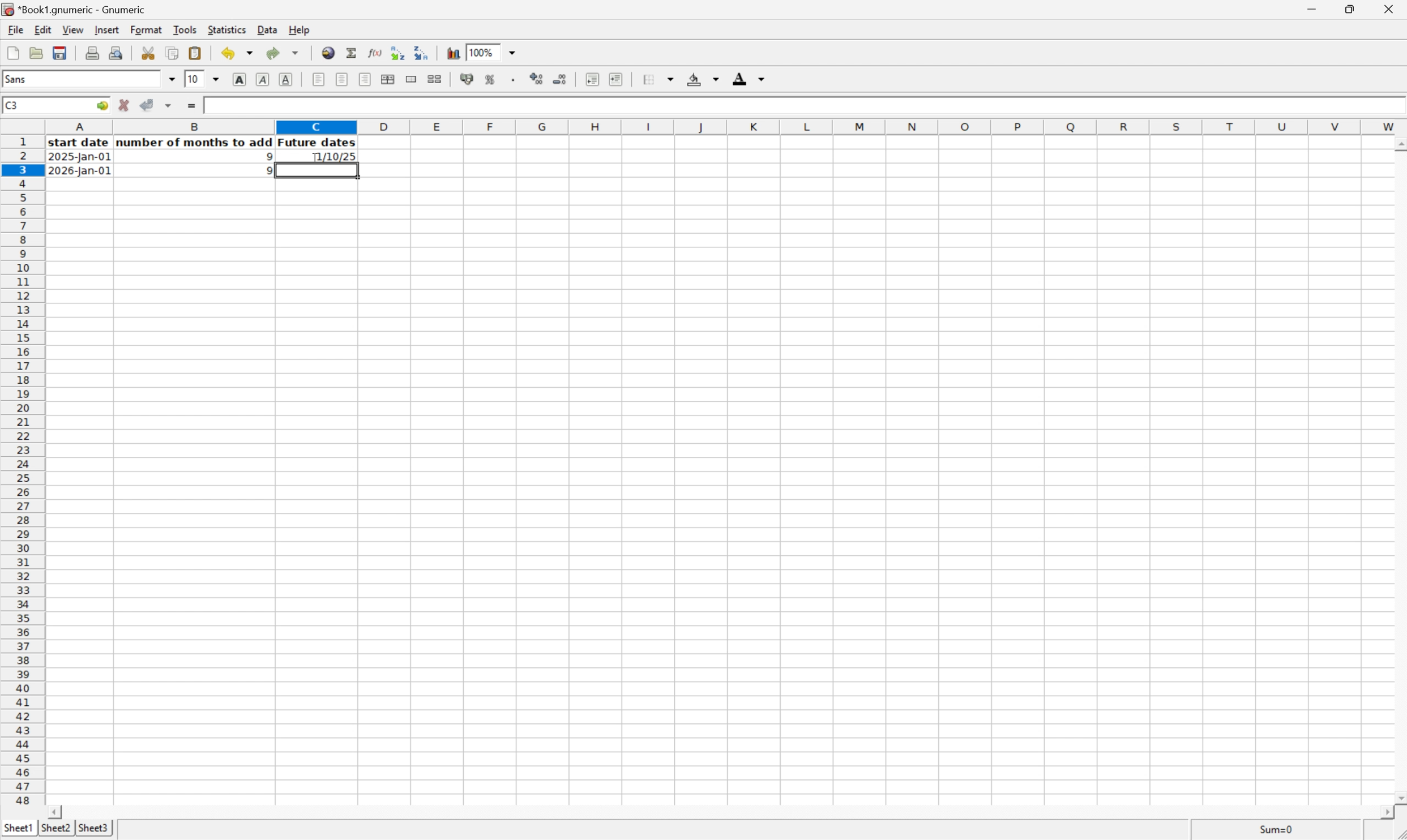 The height and width of the screenshot is (840, 1407). I want to click on Insert a chart, so click(454, 53).